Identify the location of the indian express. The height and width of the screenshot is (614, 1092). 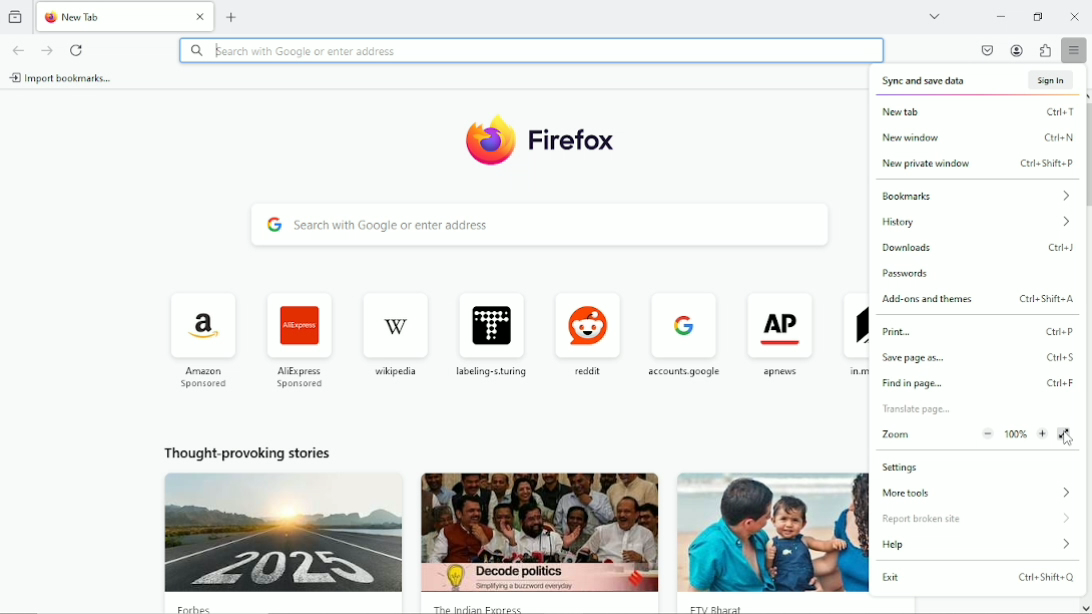
(491, 608).